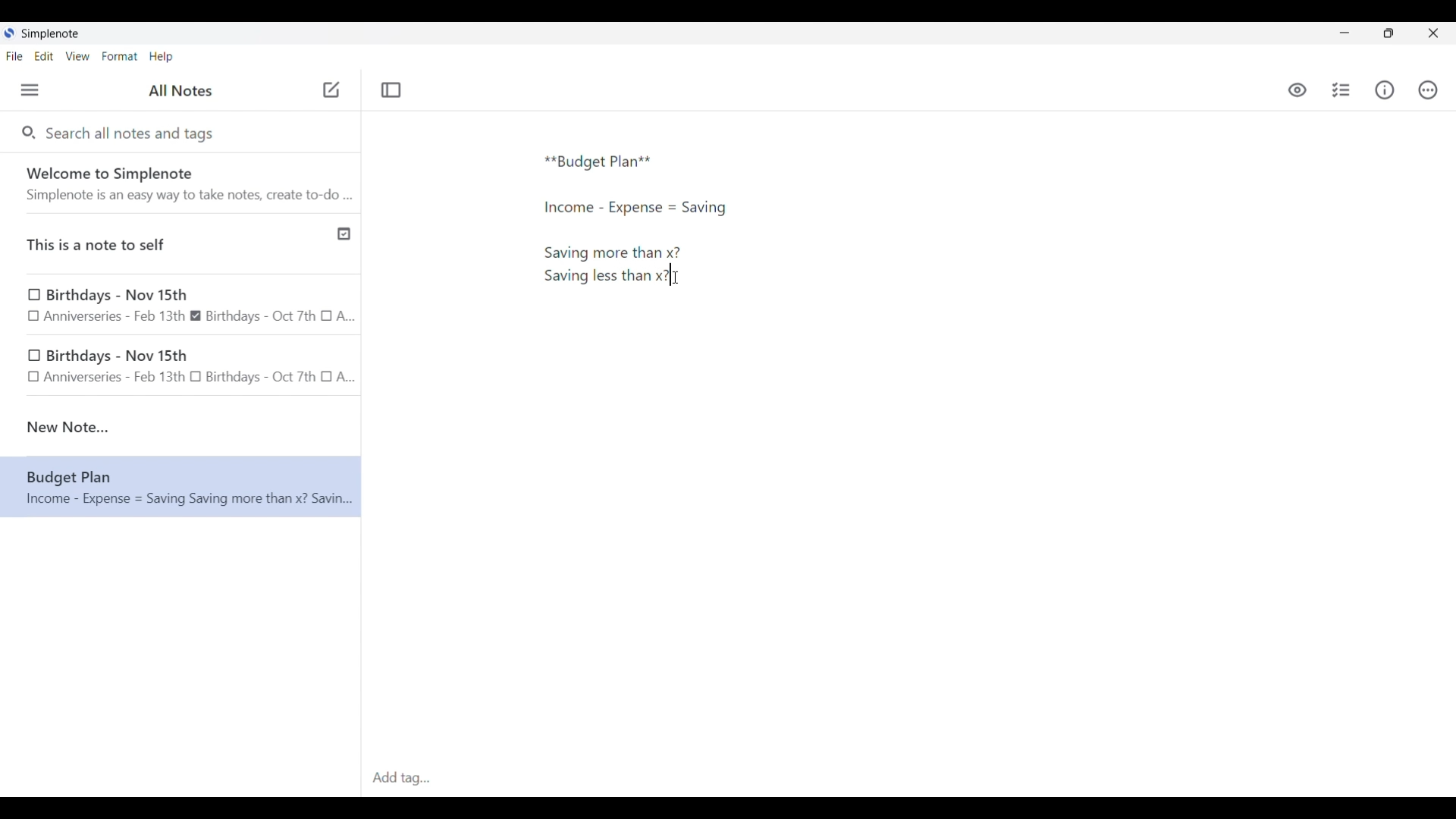 The height and width of the screenshot is (819, 1456). What do you see at coordinates (391, 90) in the screenshot?
I see `Toggle focus mode` at bounding box center [391, 90].